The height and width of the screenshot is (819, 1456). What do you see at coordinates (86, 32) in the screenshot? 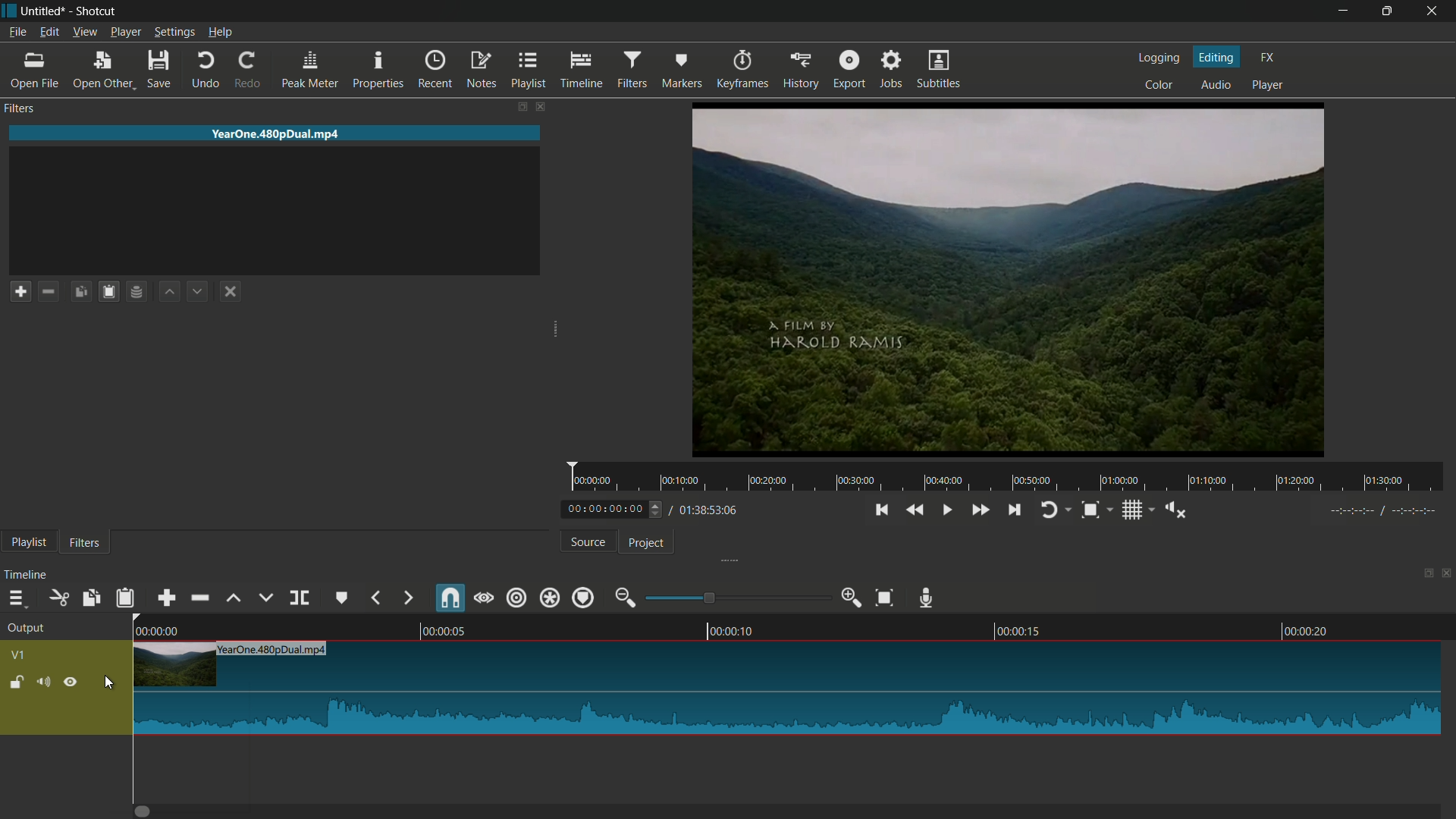
I see `view menu` at bounding box center [86, 32].